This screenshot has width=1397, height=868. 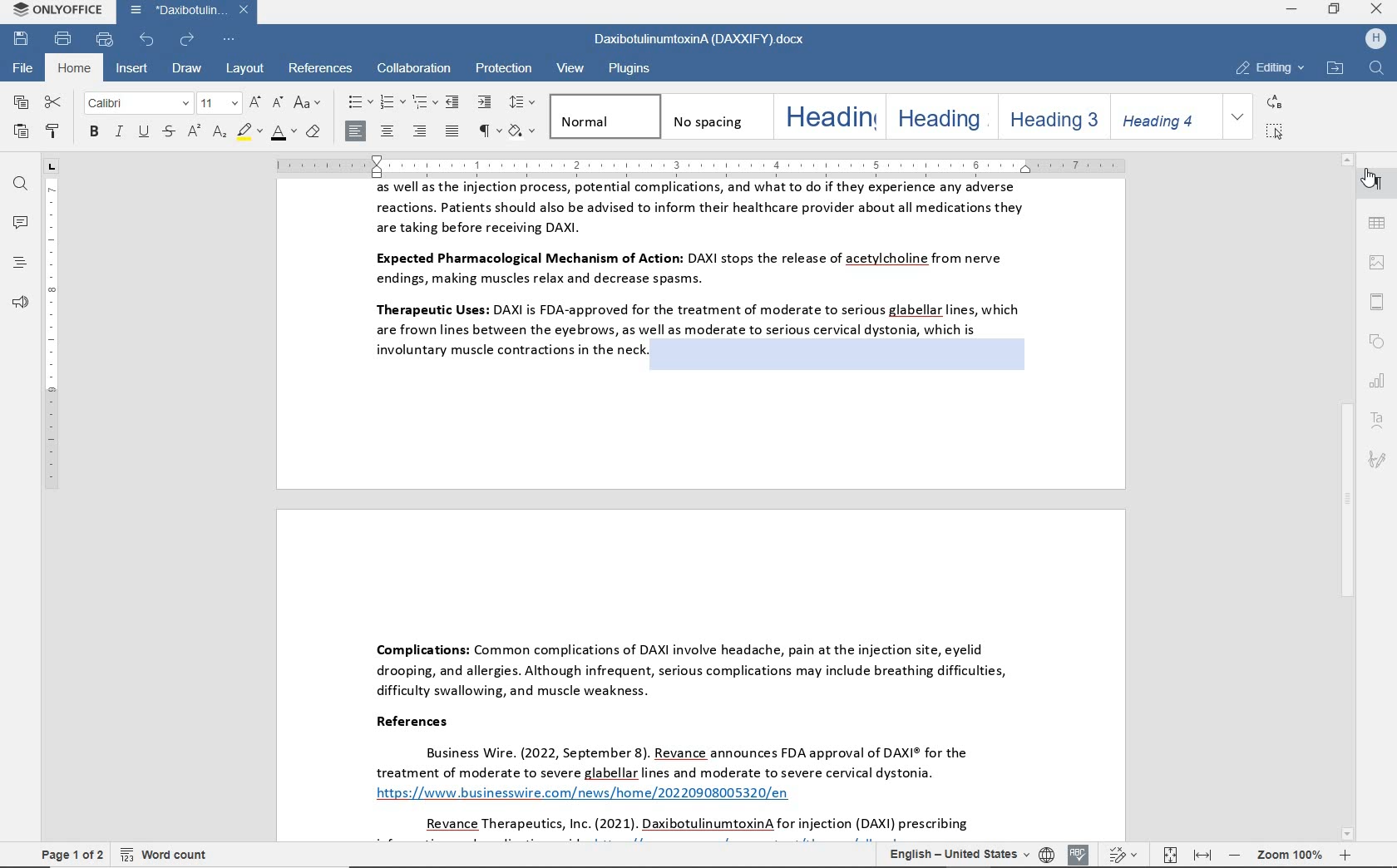 What do you see at coordinates (1275, 131) in the screenshot?
I see `select all` at bounding box center [1275, 131].